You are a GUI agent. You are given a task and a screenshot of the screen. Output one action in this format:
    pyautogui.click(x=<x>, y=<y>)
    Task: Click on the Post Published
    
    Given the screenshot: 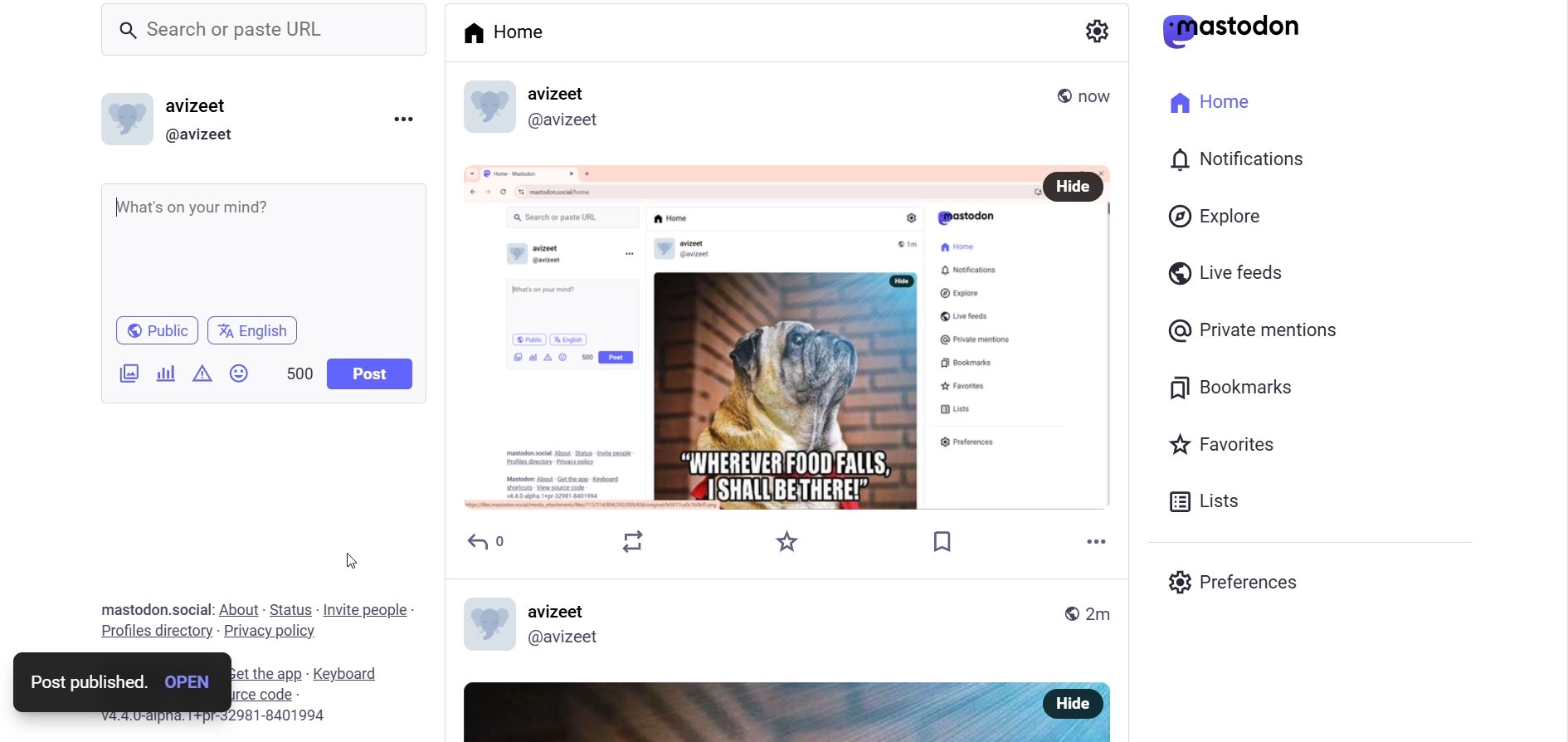 What is the action you would take?
    pyautogui.click(x=85, y=682)
    